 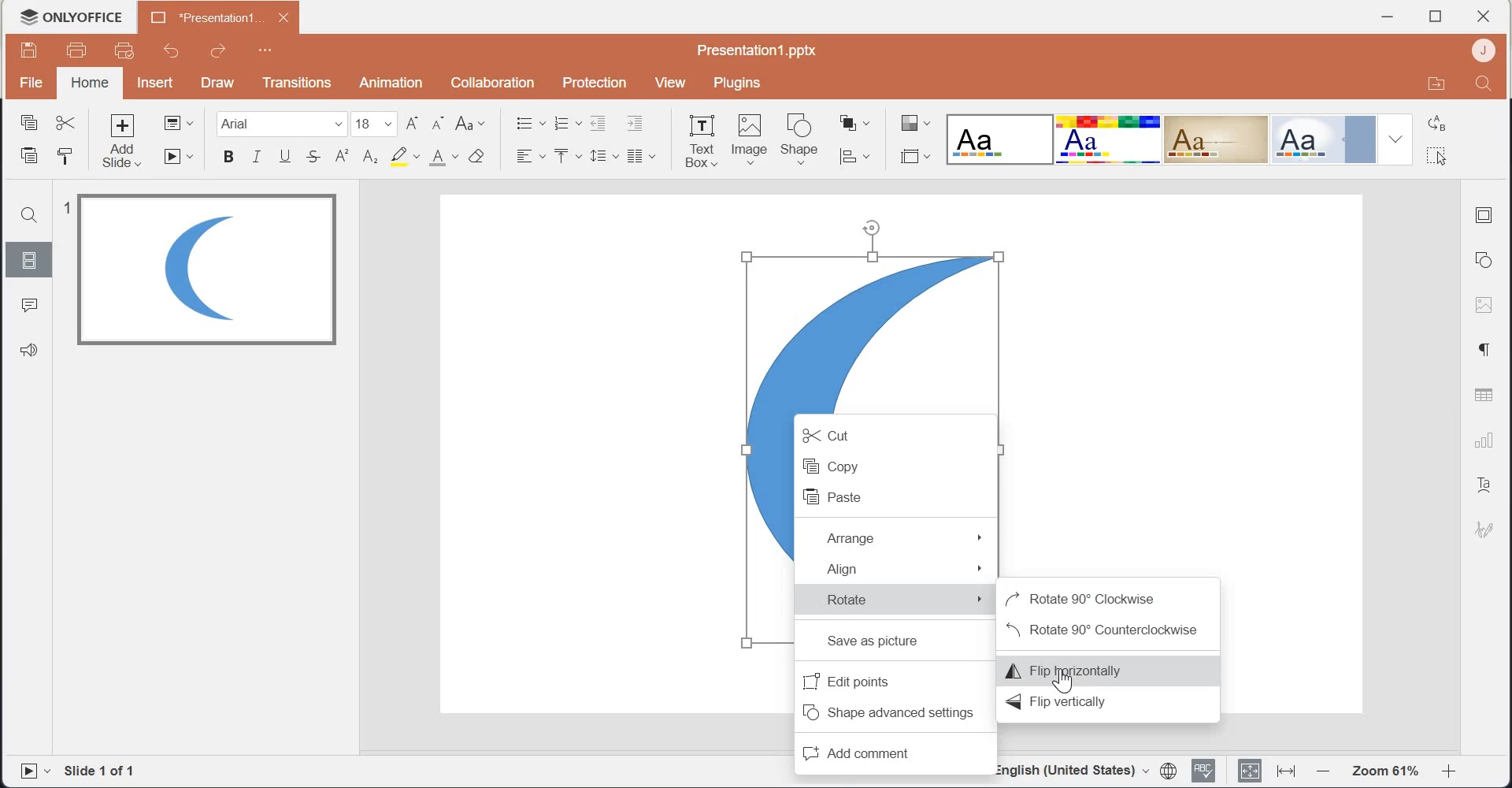 I want to click on Vertical Align, so click(x=569, y=154).